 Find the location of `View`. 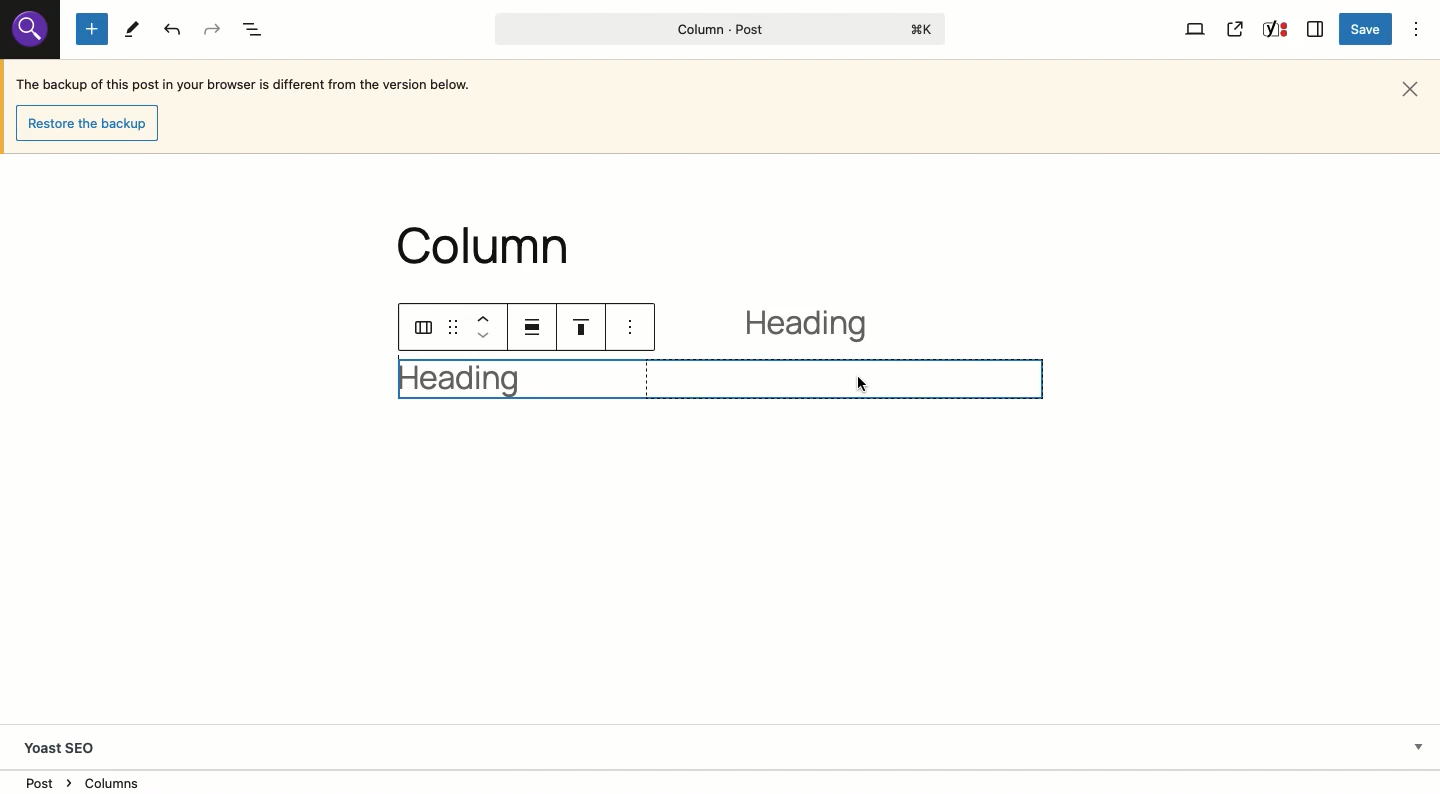

View is located at coordinates (1196, 28).